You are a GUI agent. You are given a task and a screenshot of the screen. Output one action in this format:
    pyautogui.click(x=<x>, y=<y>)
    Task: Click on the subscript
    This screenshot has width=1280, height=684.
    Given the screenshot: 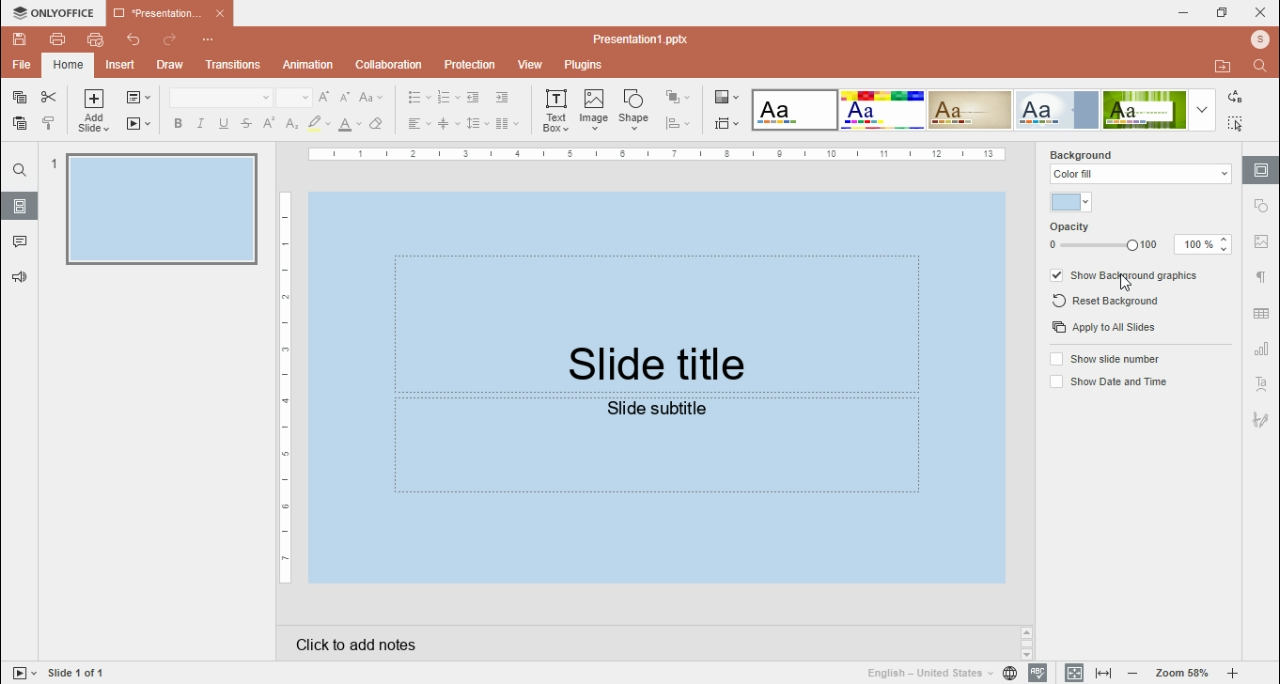 What is the action you would take?
    pyautogui.click(x=291, y=124)
    